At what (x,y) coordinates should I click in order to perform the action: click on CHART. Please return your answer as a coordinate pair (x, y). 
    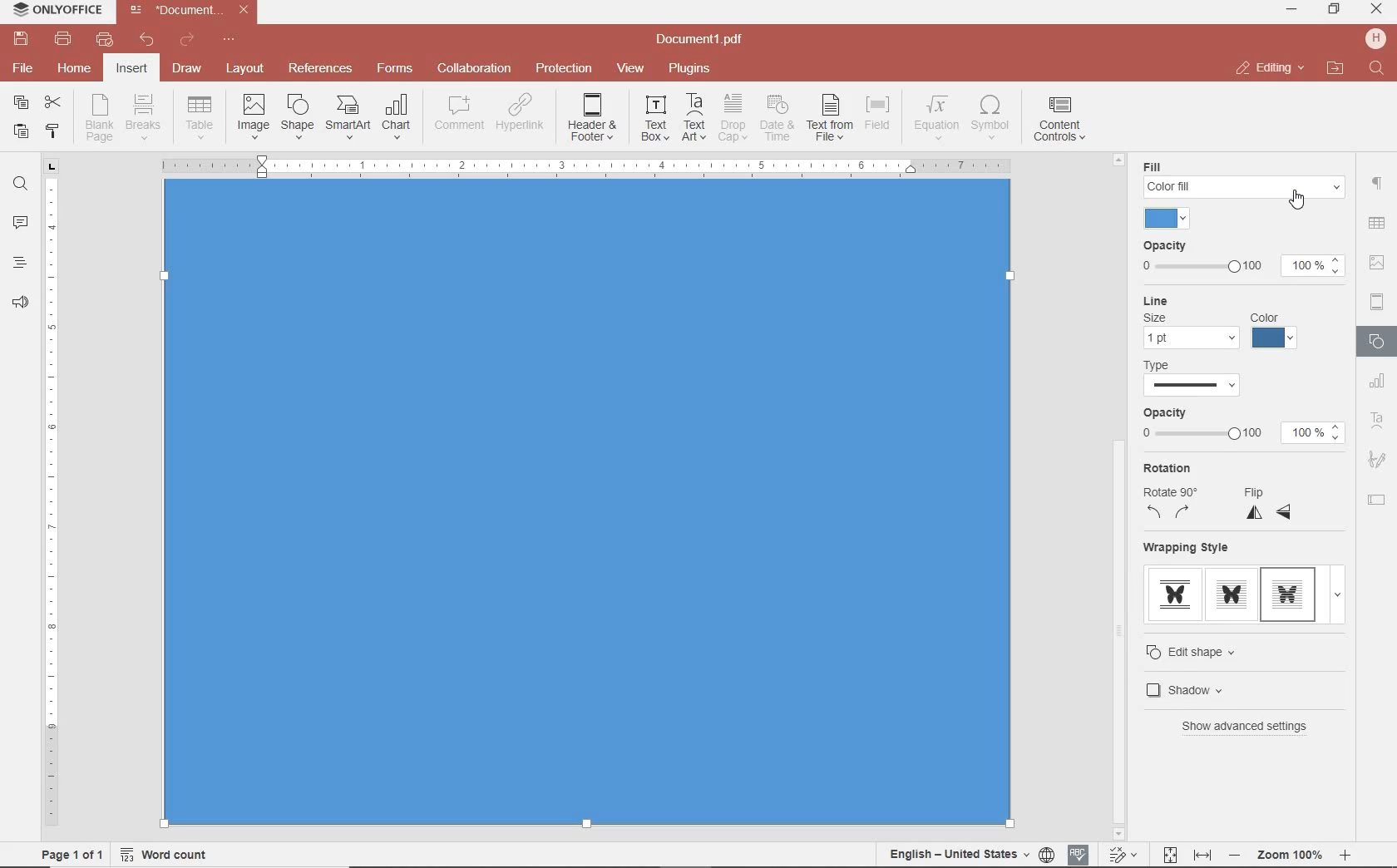
    Looking at the image, I should click on (1378, 382).